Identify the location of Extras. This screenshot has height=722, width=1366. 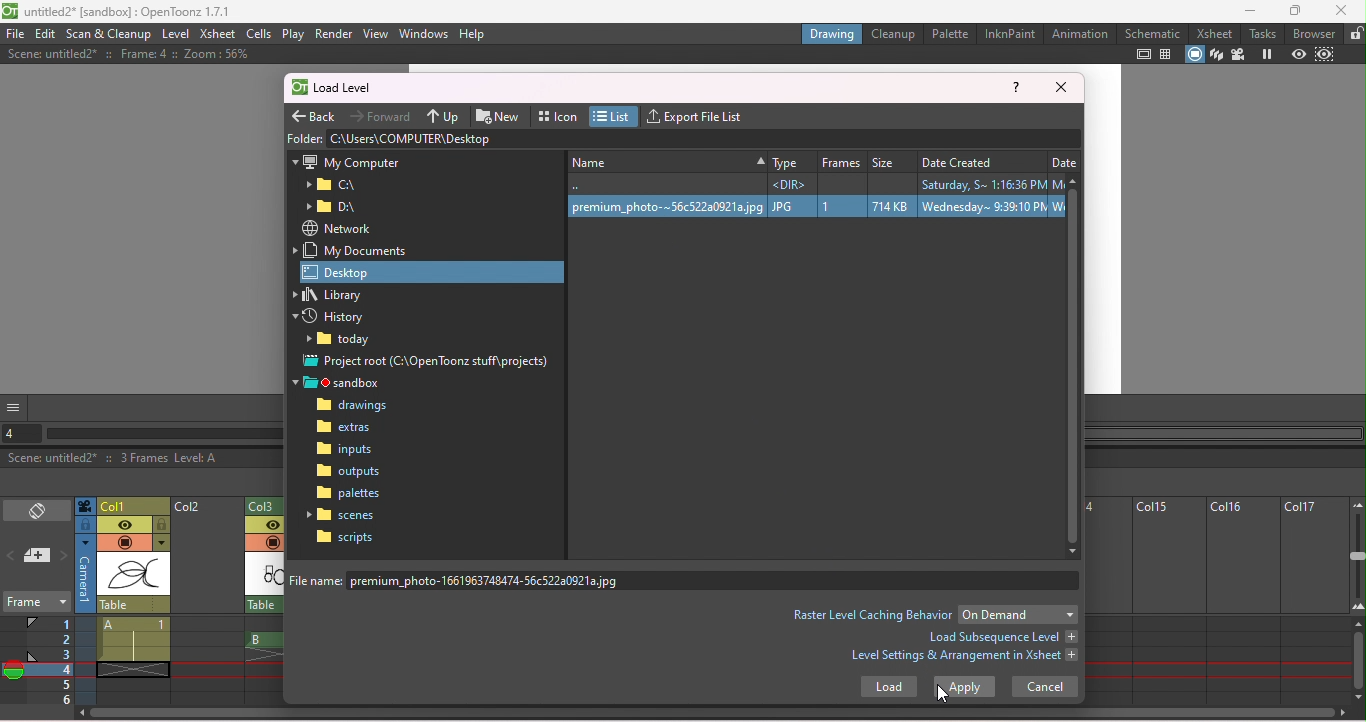
(354, 429).